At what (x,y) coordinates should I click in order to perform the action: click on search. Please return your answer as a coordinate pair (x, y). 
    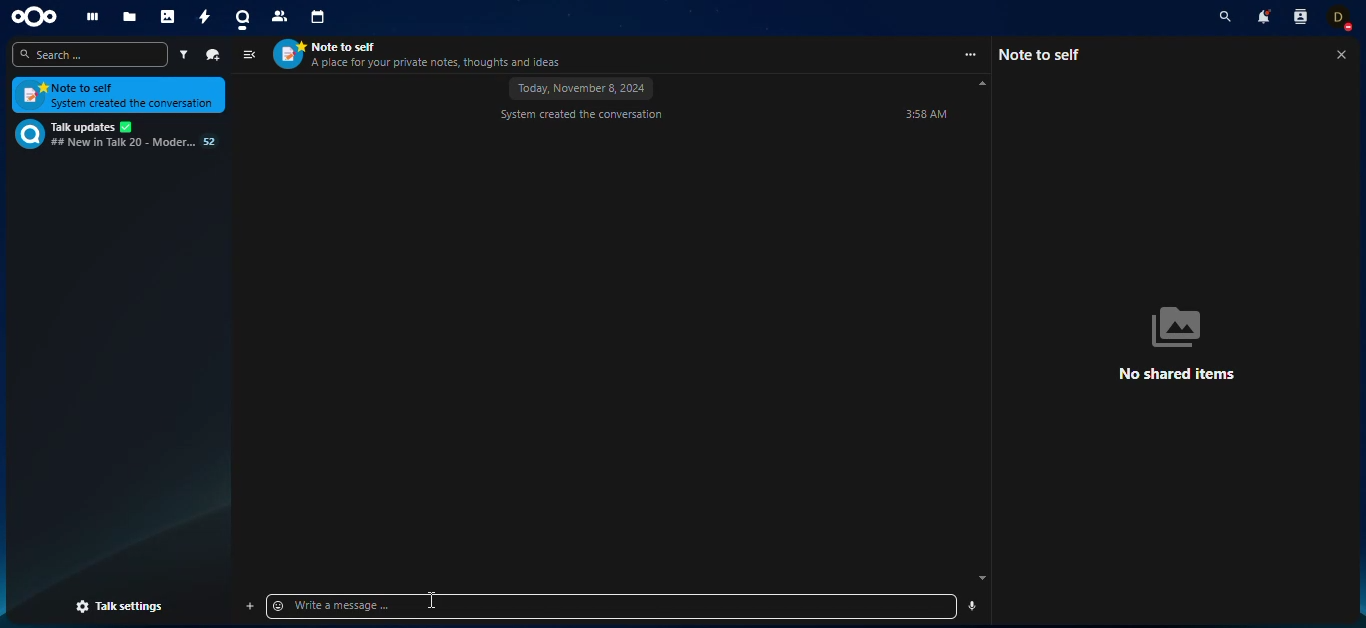
    Looking at the image, I should click on (90, 55).